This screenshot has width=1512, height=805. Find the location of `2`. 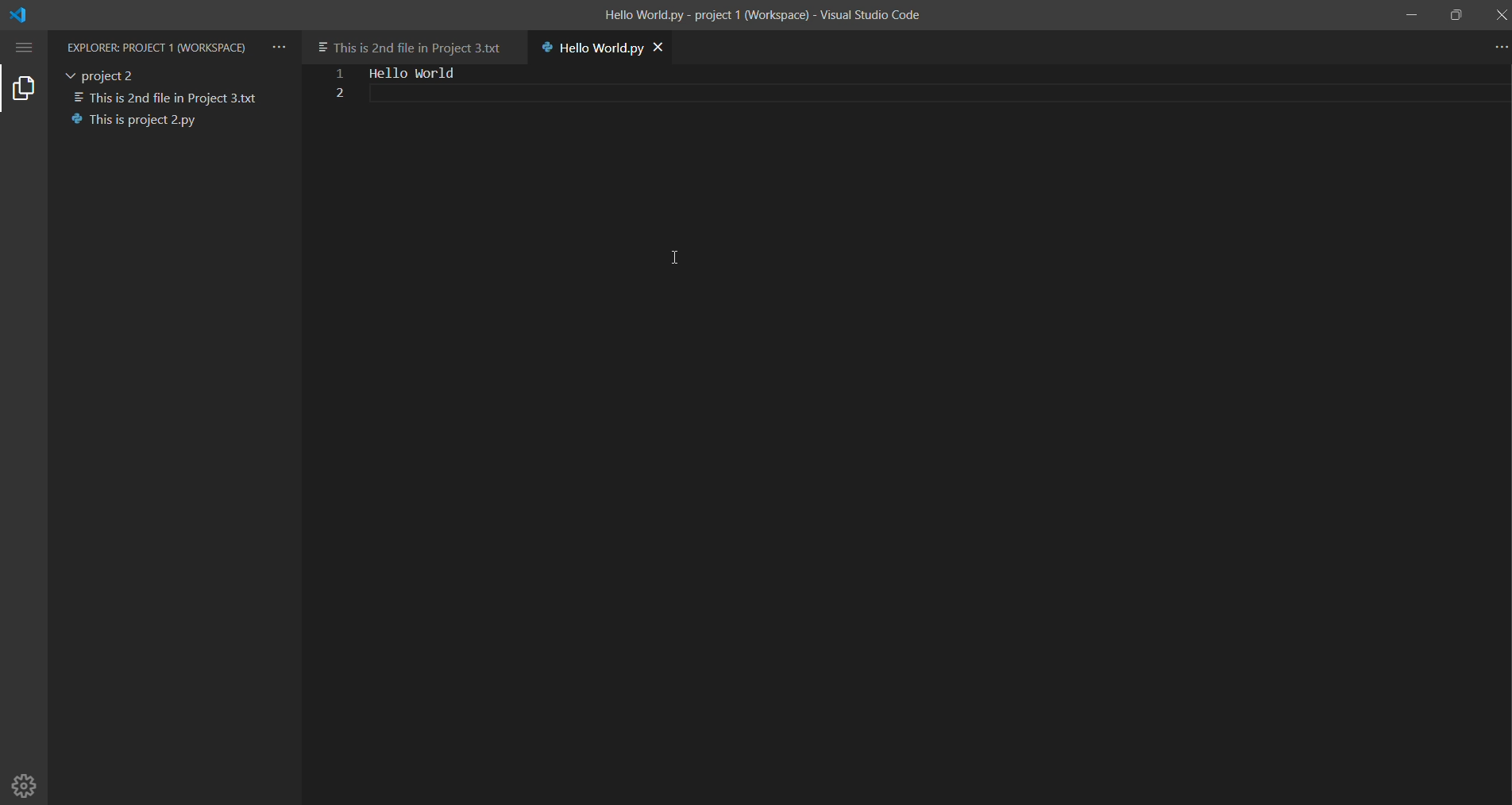

2 is located at coordinates (335, 94).